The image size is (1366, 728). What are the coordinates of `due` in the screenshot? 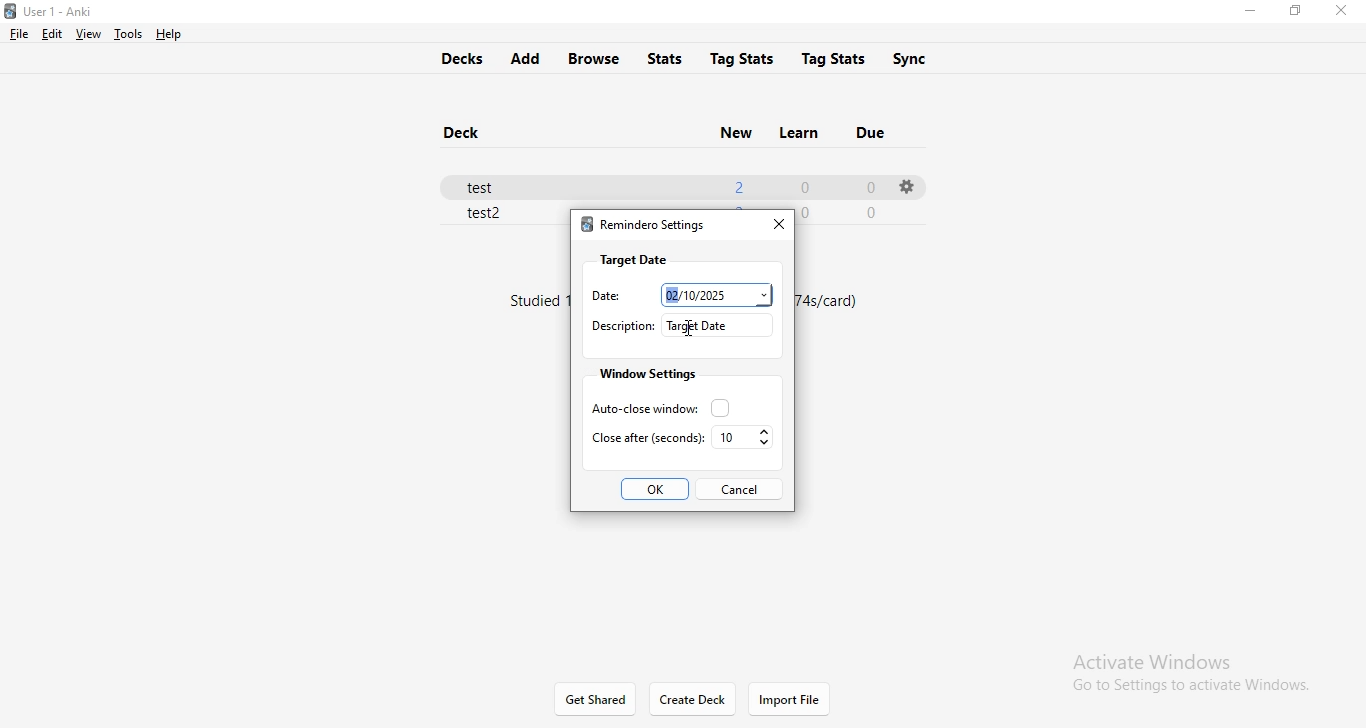 It's located at (874, 130).